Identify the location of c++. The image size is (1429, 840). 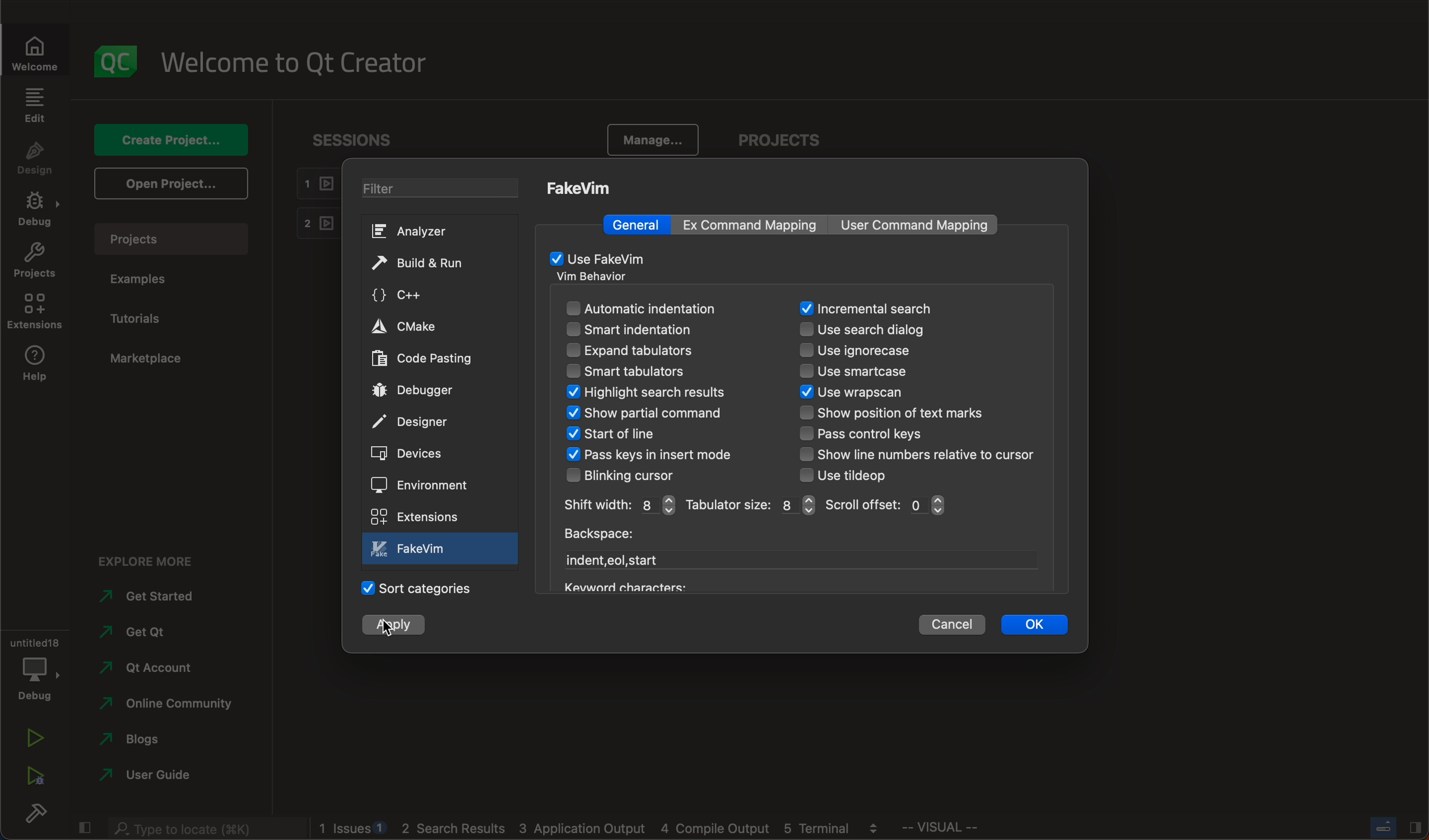
(426, 295).